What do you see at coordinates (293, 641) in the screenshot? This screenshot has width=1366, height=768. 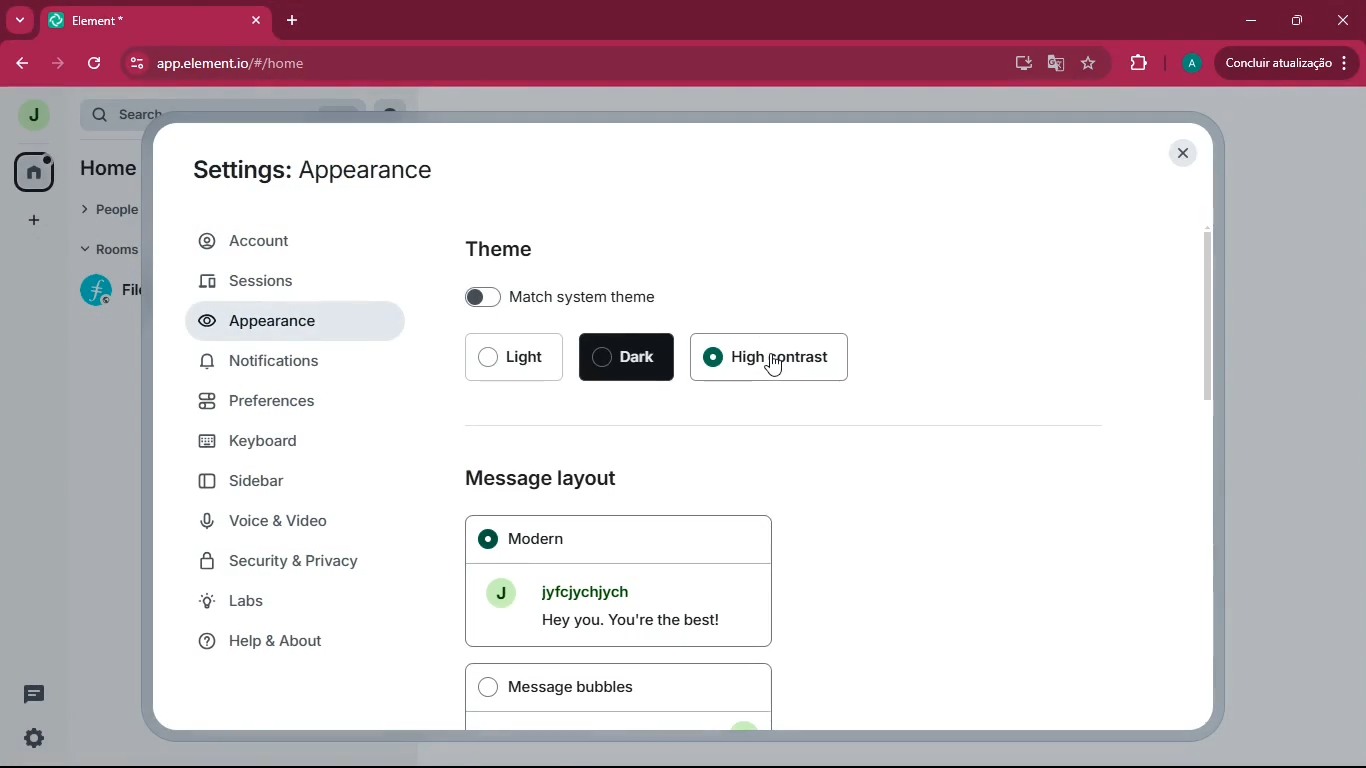 I see `help` at bounding box center [293, 641].